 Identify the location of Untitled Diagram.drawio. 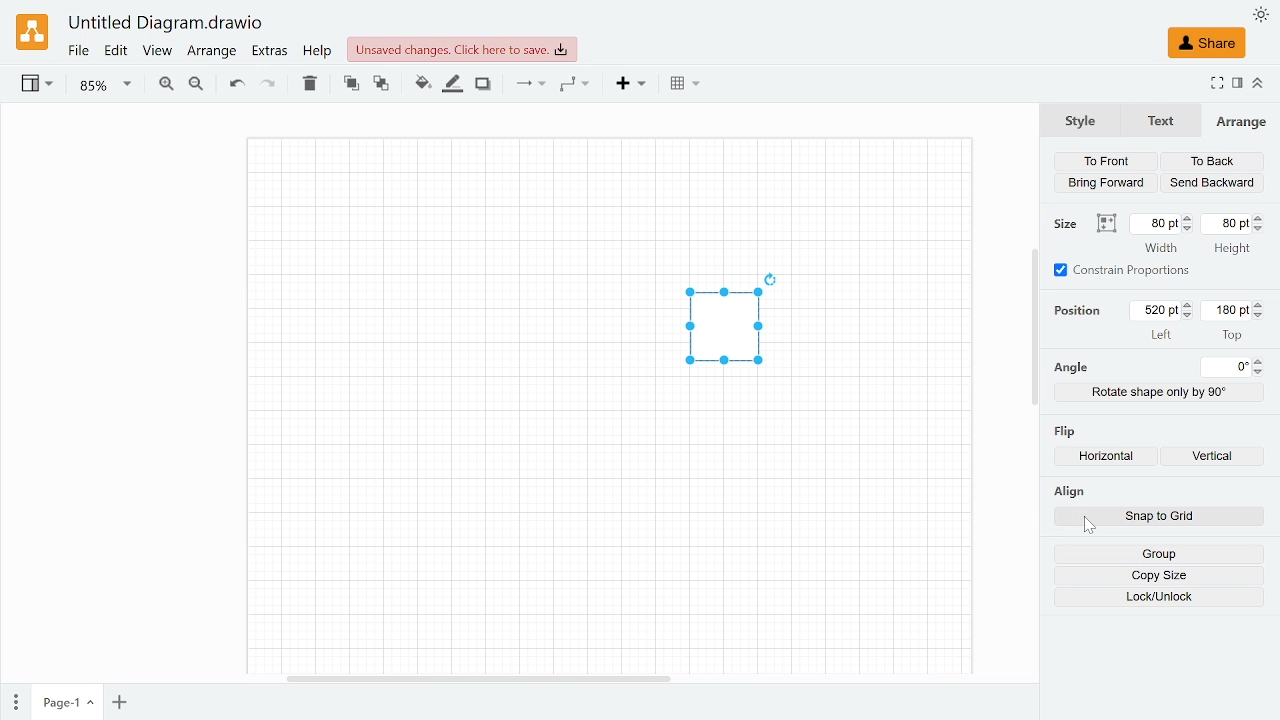
(166, 24).